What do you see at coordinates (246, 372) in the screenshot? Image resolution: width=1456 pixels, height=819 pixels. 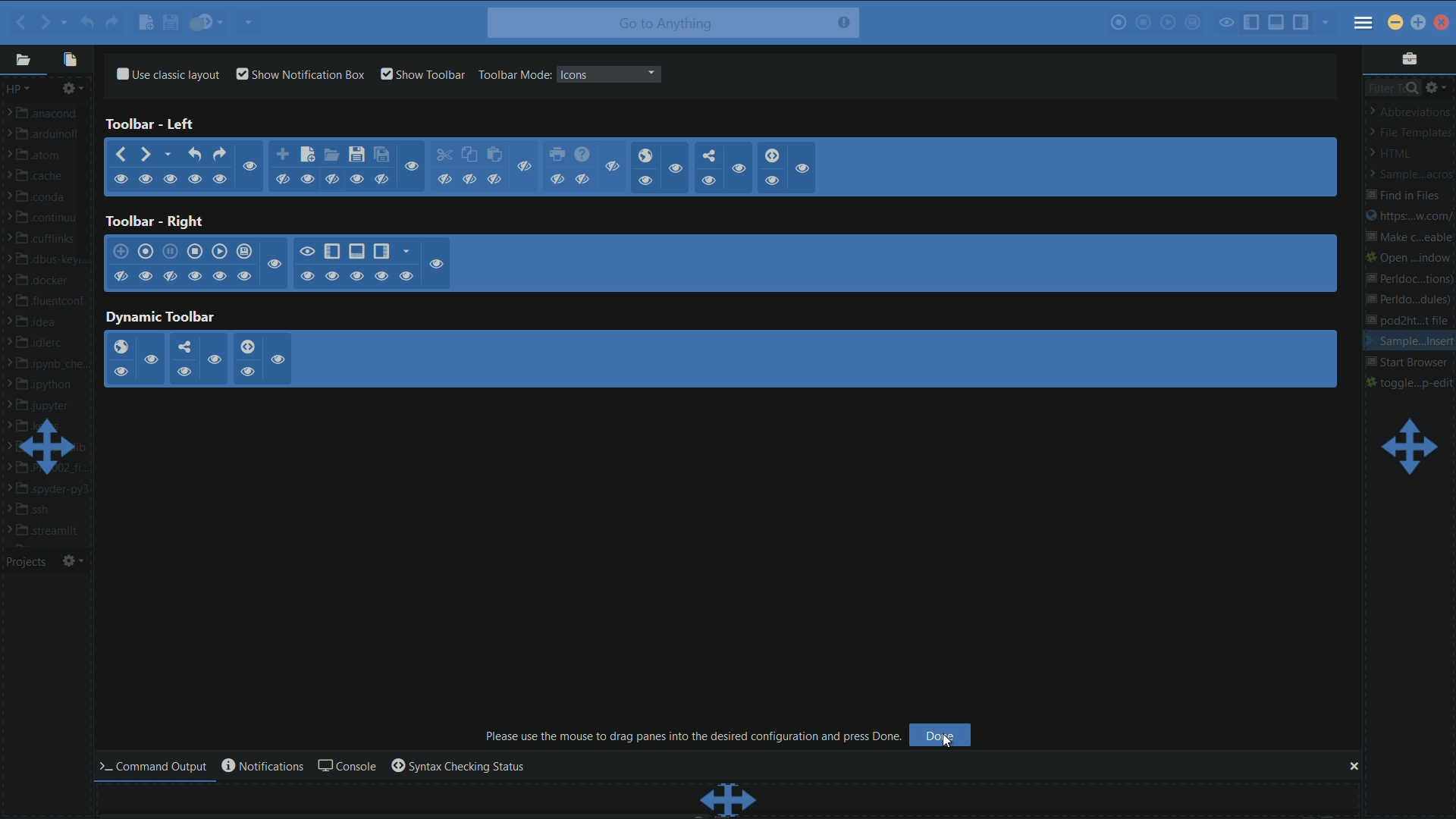 I see `hide/show` at bounding box center [246, 372].